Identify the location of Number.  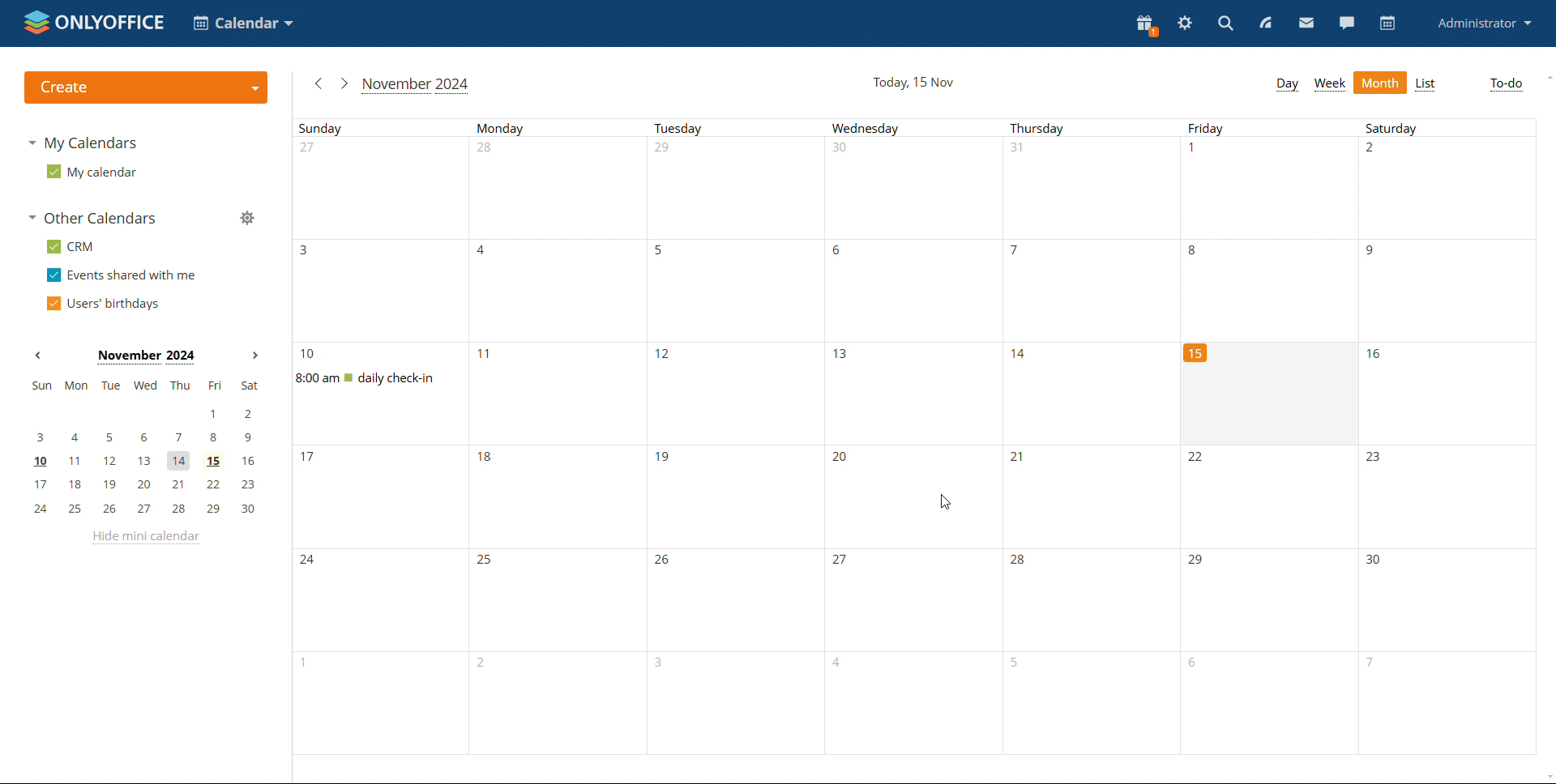
(1017, 151).